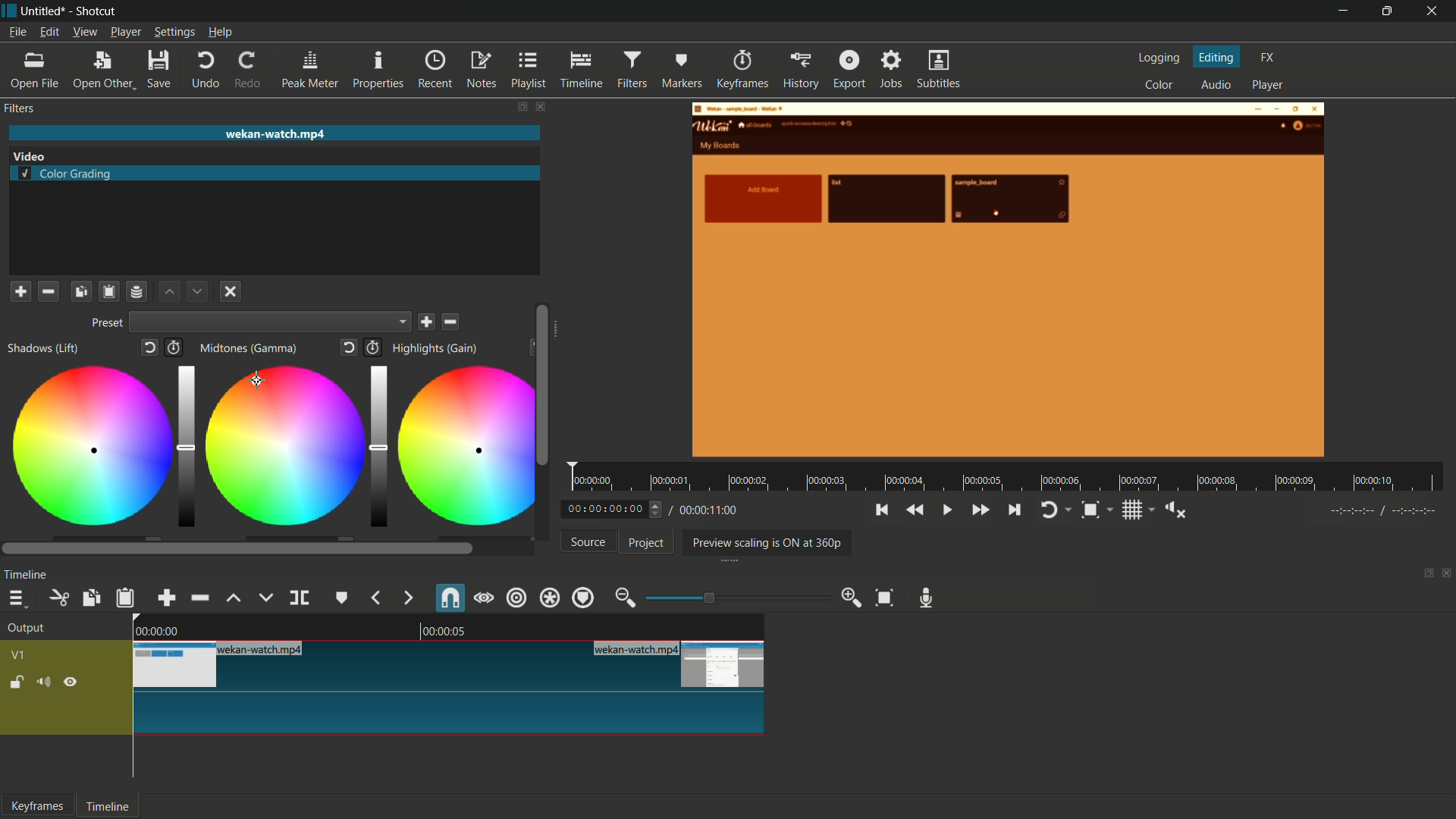  What do you see at coordinates (529, 71) in the screenshot?
I see `playlist` at bounding box center [529, 71].